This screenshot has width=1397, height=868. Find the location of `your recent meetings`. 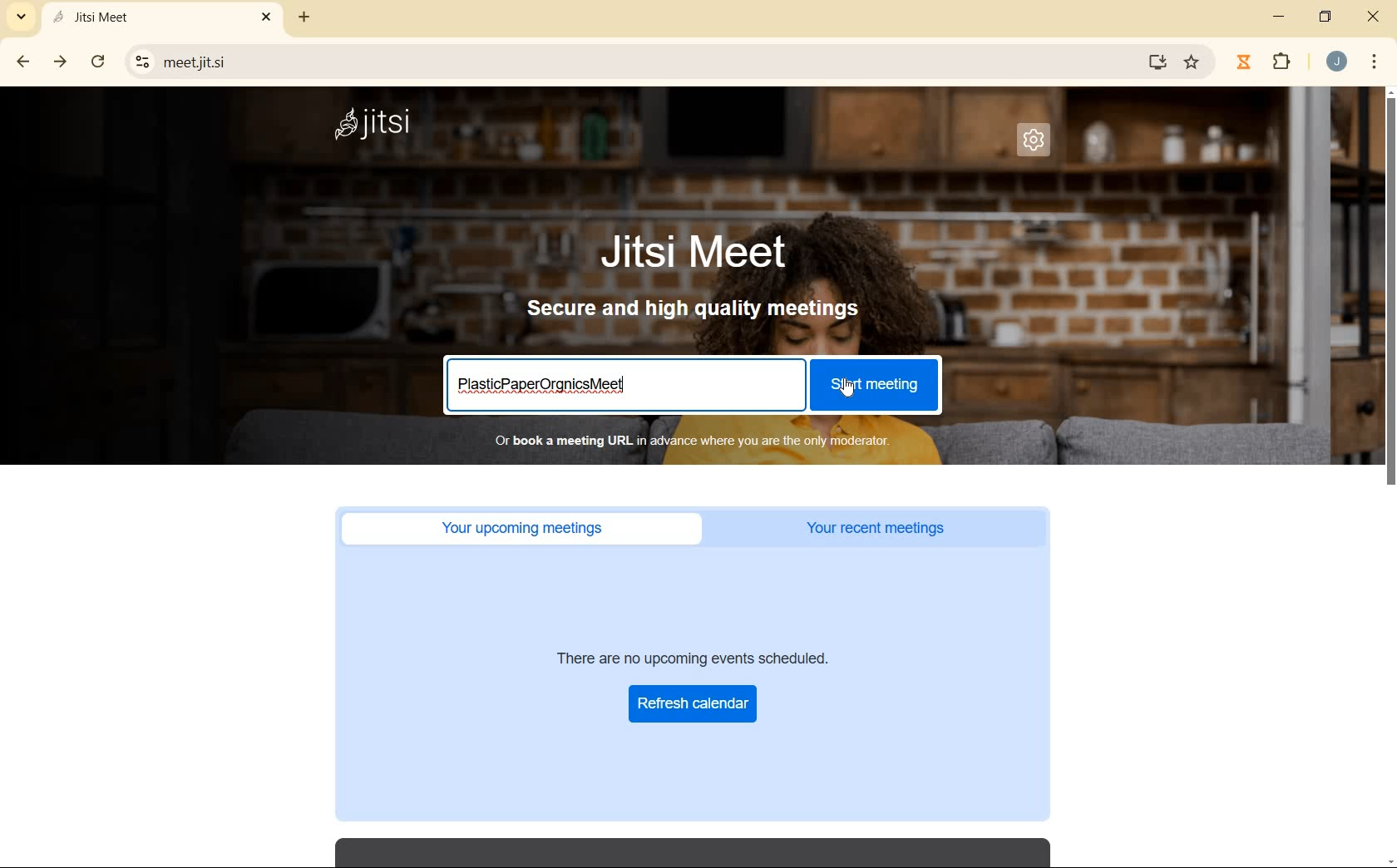

your recent meetings is located at coordinates (927, 528).